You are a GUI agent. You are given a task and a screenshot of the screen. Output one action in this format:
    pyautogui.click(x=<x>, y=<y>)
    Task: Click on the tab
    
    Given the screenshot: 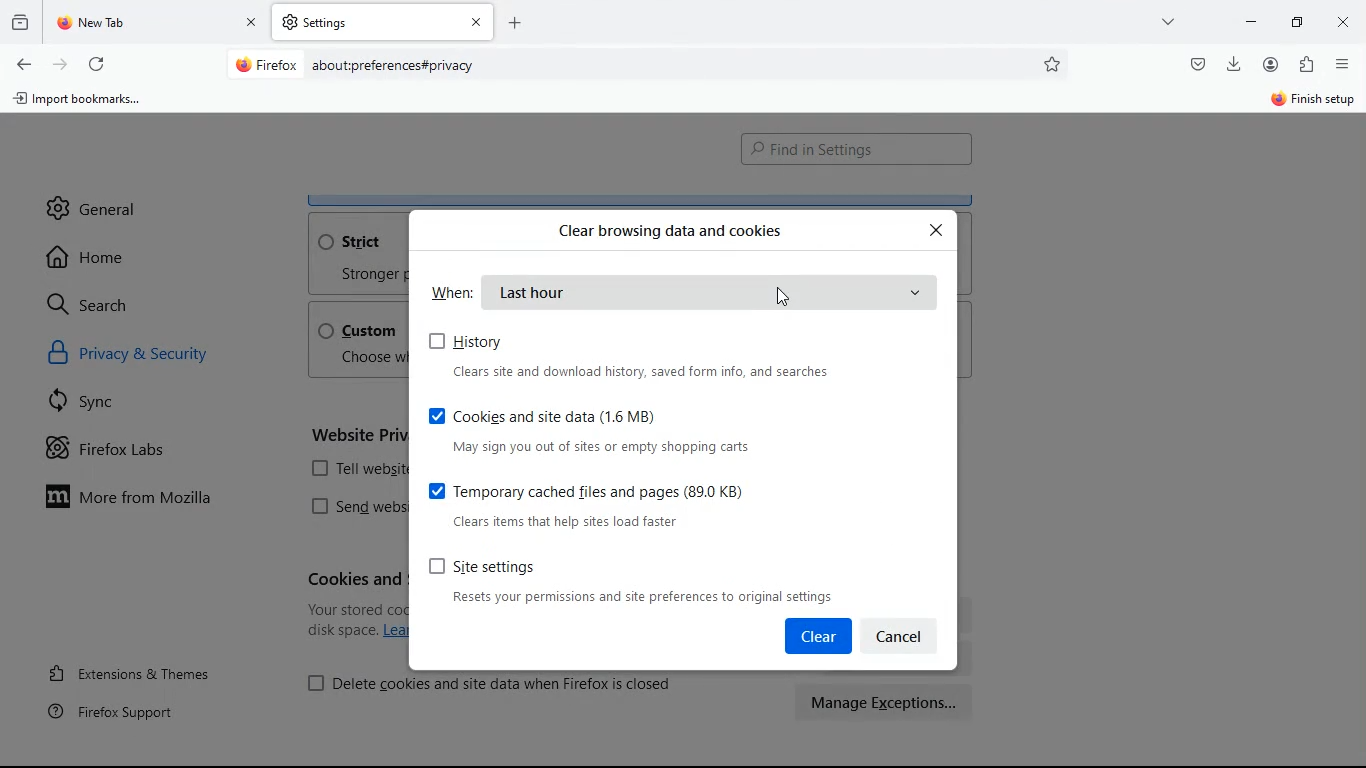 What is the action you would take?
    pyautogui.click(x=383, y=22)
    